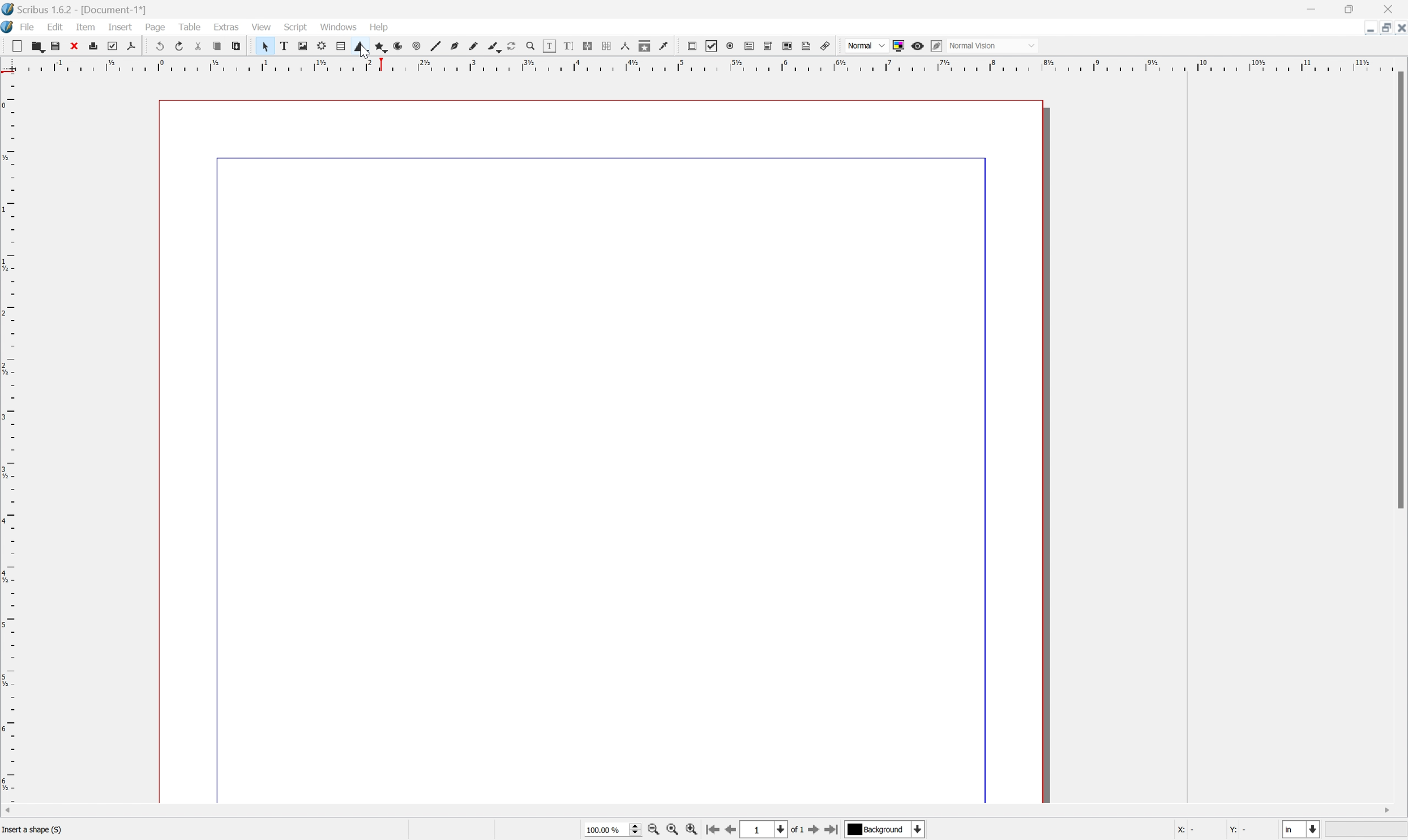  What do you see at coordinates (585, 46) in the screenshot?
I see `Link Text frames` at bounding box center [585, 46].